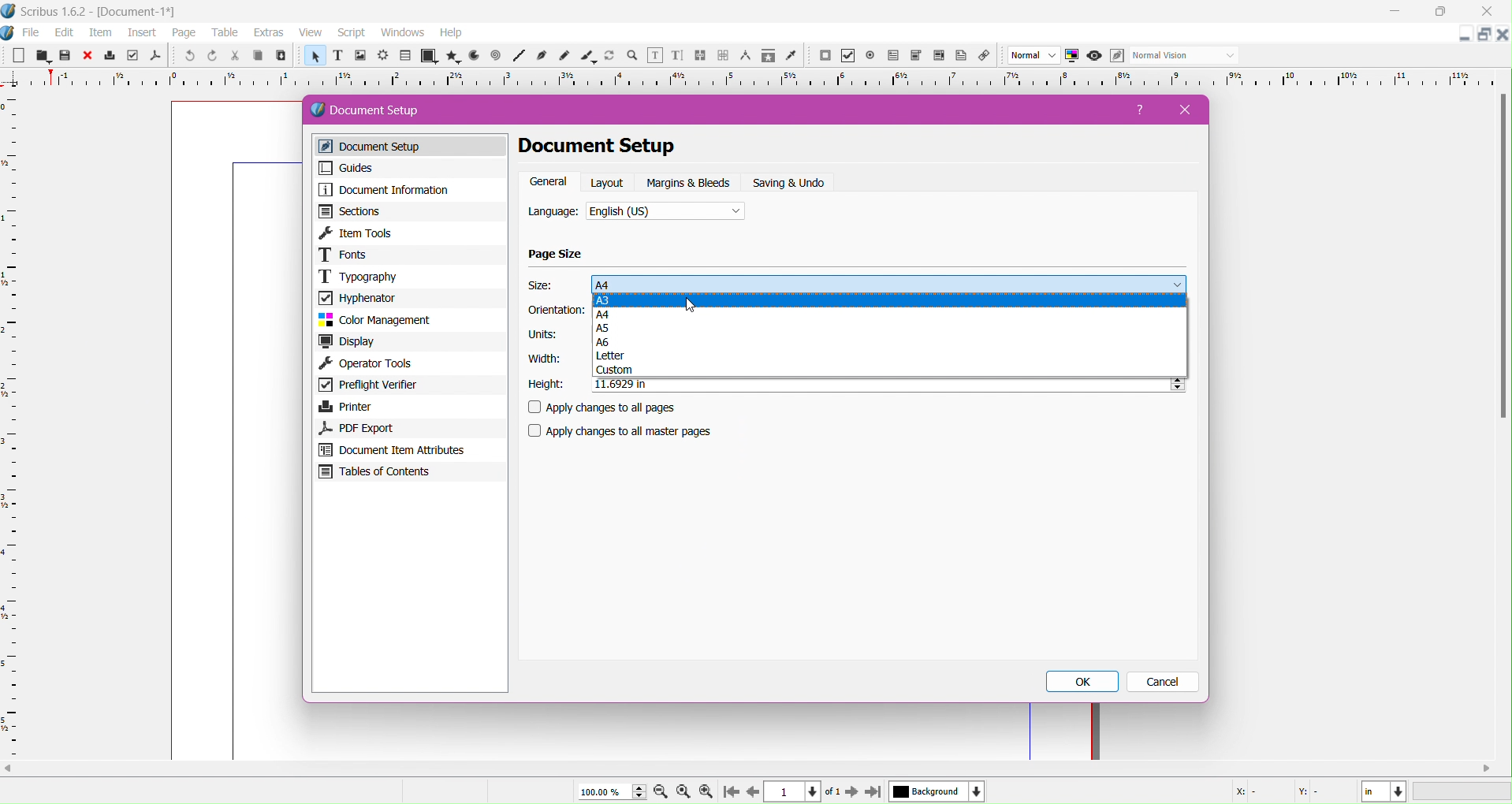  Describe the element at coordinates (542, 359) in the screenshot. I see `Width` at that location.